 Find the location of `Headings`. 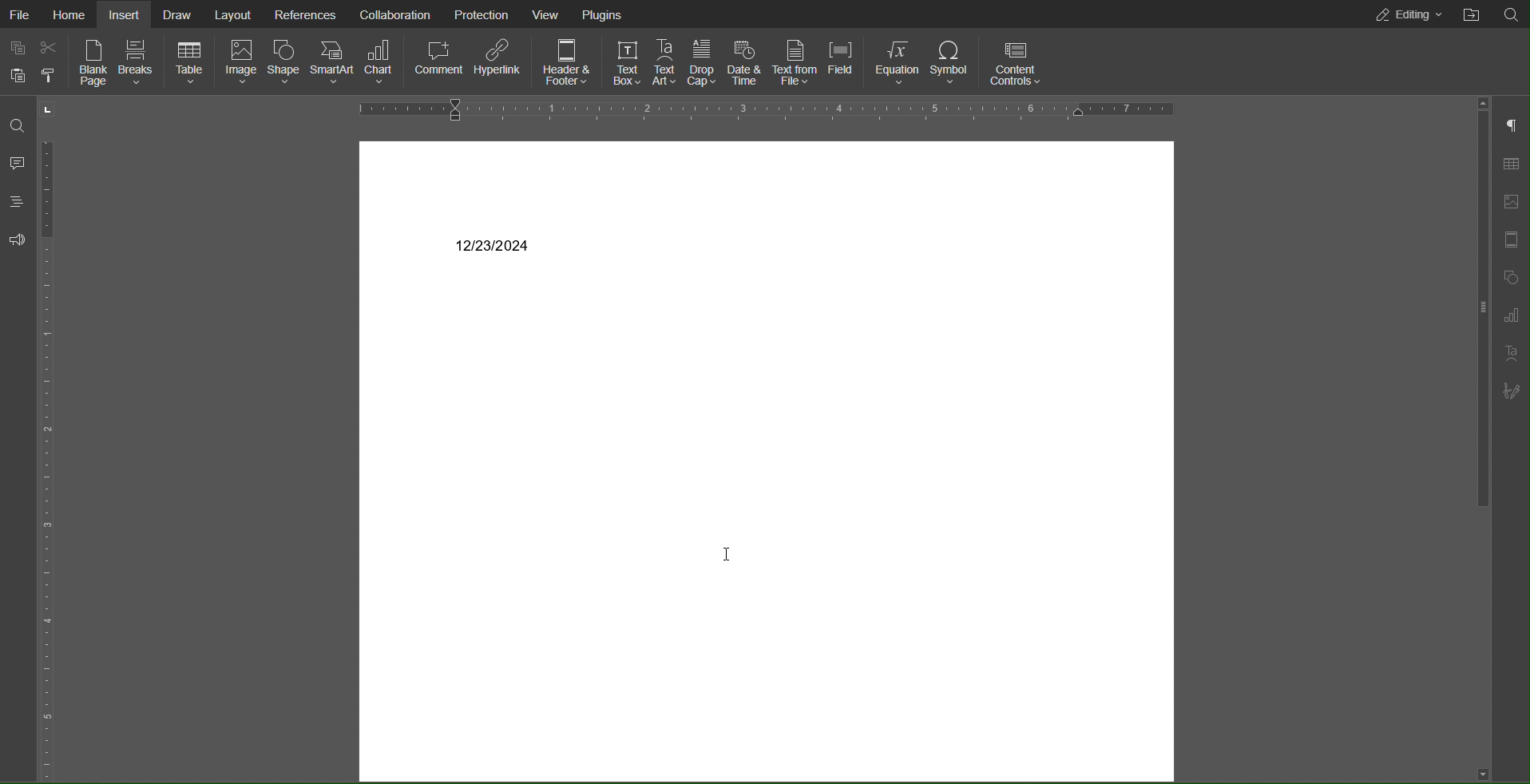

Headings is located at coordinates (18, 202).